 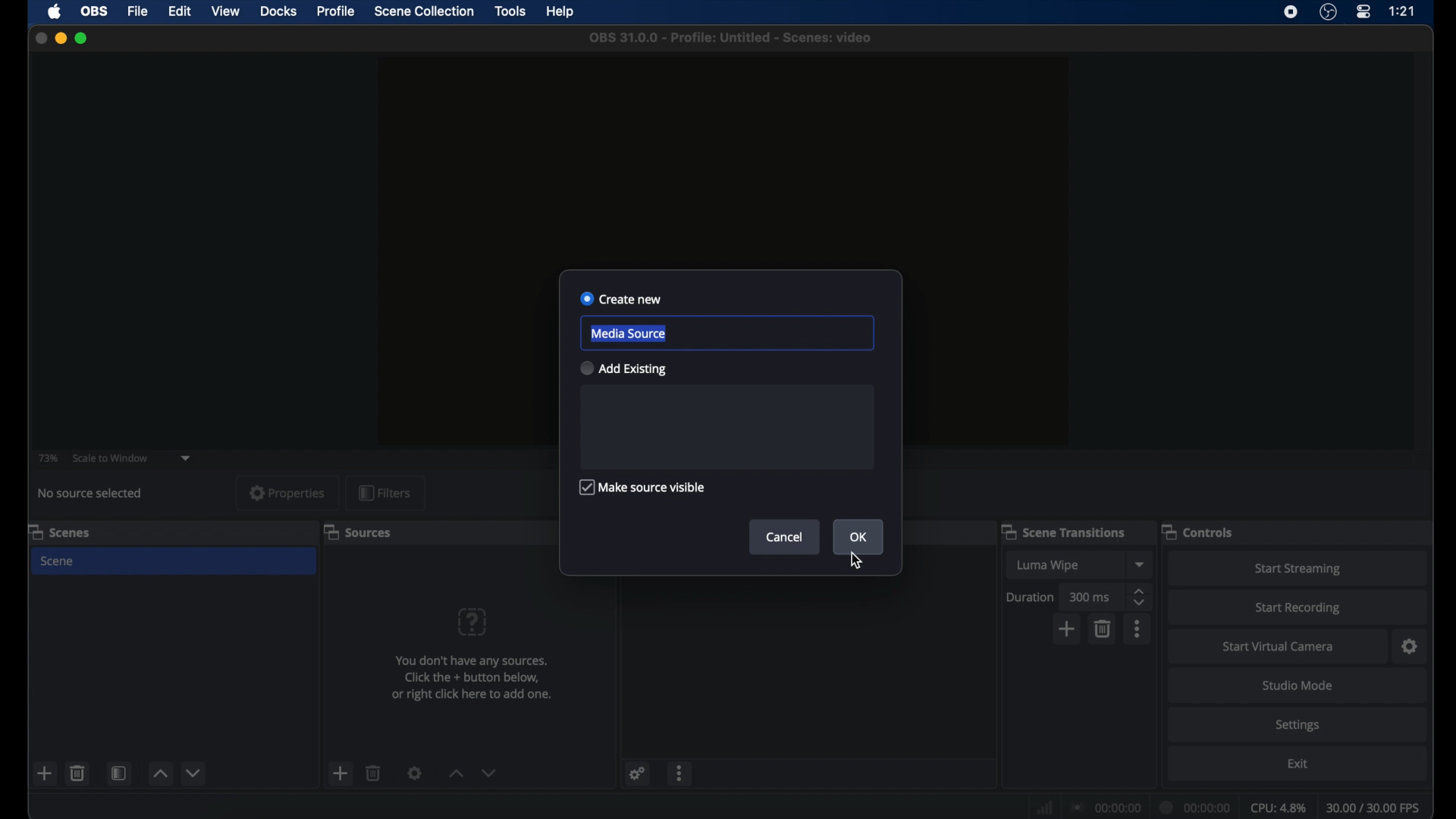 I want to click on file name, so click(x=731, y=38).